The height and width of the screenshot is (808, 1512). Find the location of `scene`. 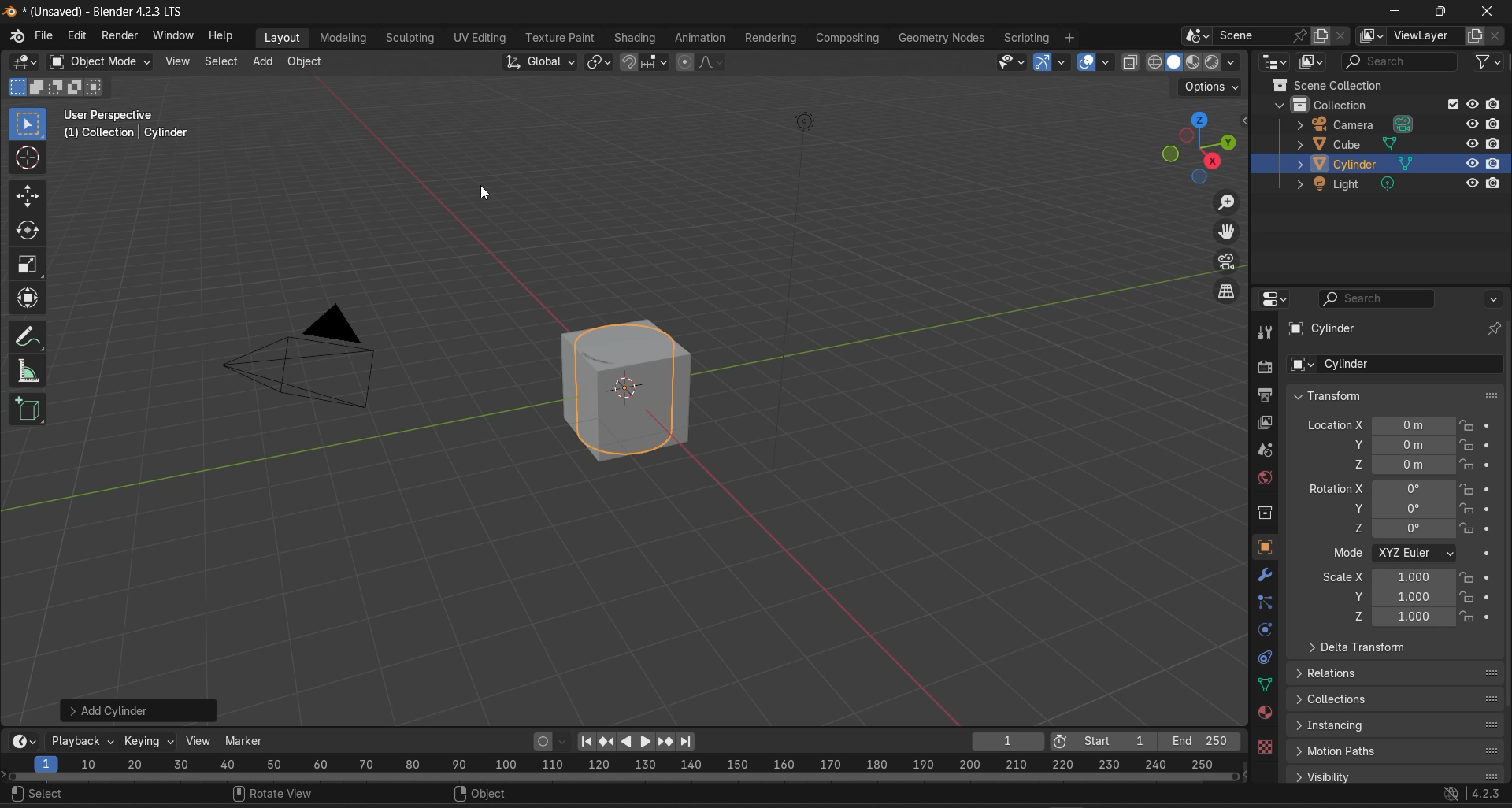

scene is located at coordinates (1266, 450).